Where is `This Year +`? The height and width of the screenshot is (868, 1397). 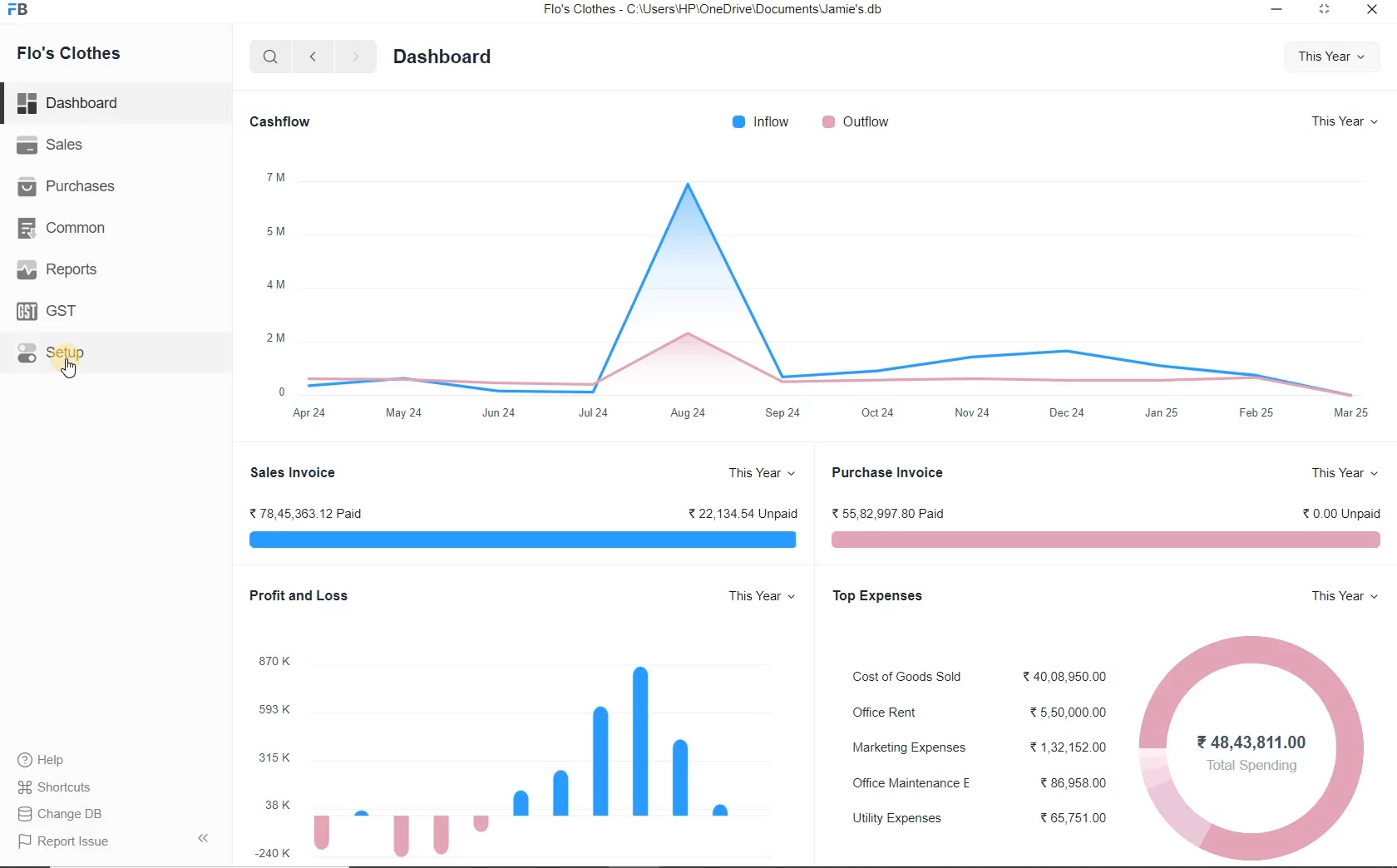 This Year + is located at coordinates (1344, 596).